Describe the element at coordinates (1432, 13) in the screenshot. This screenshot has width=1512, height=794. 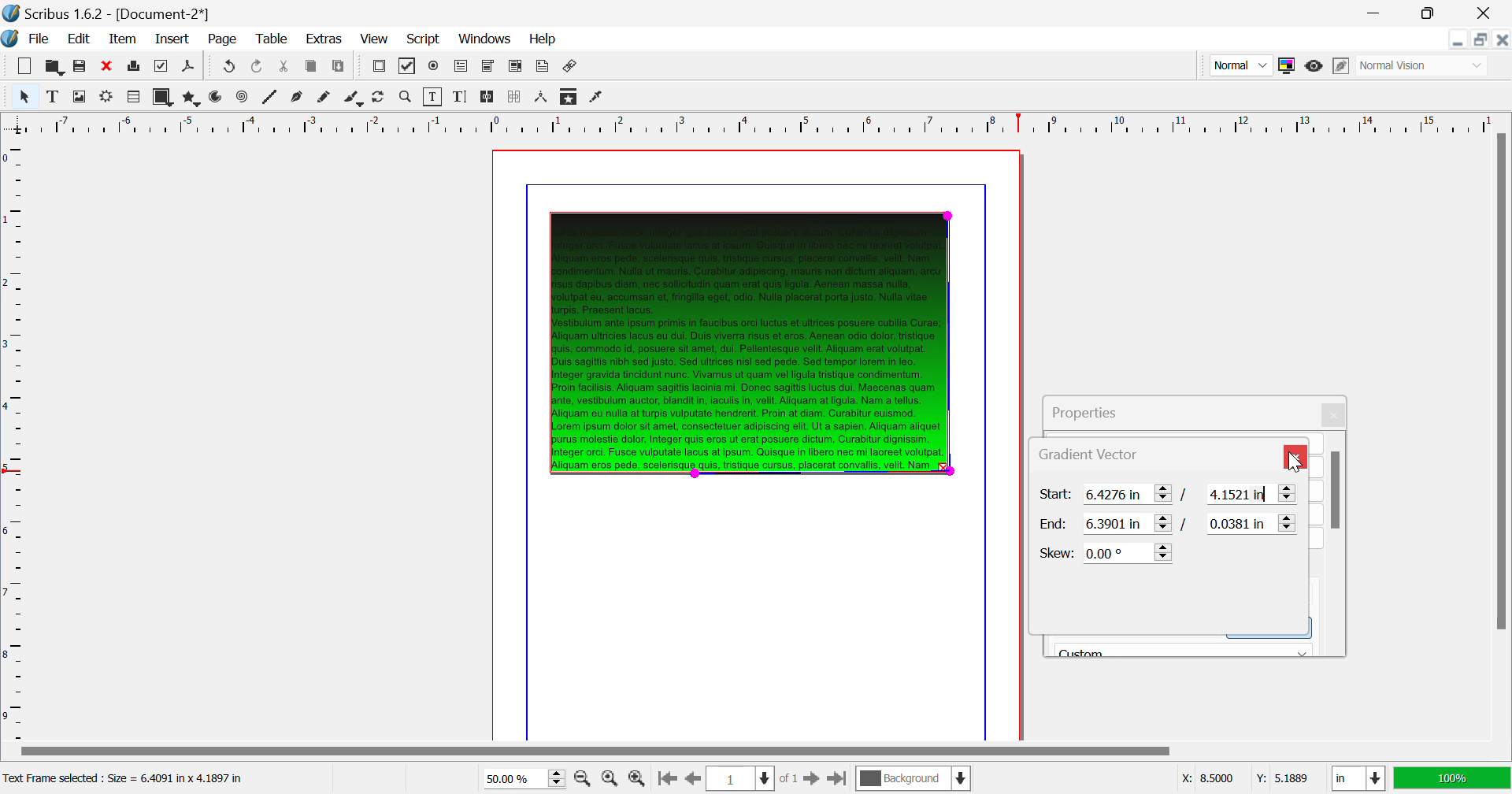
I see `Minimize` at that location.